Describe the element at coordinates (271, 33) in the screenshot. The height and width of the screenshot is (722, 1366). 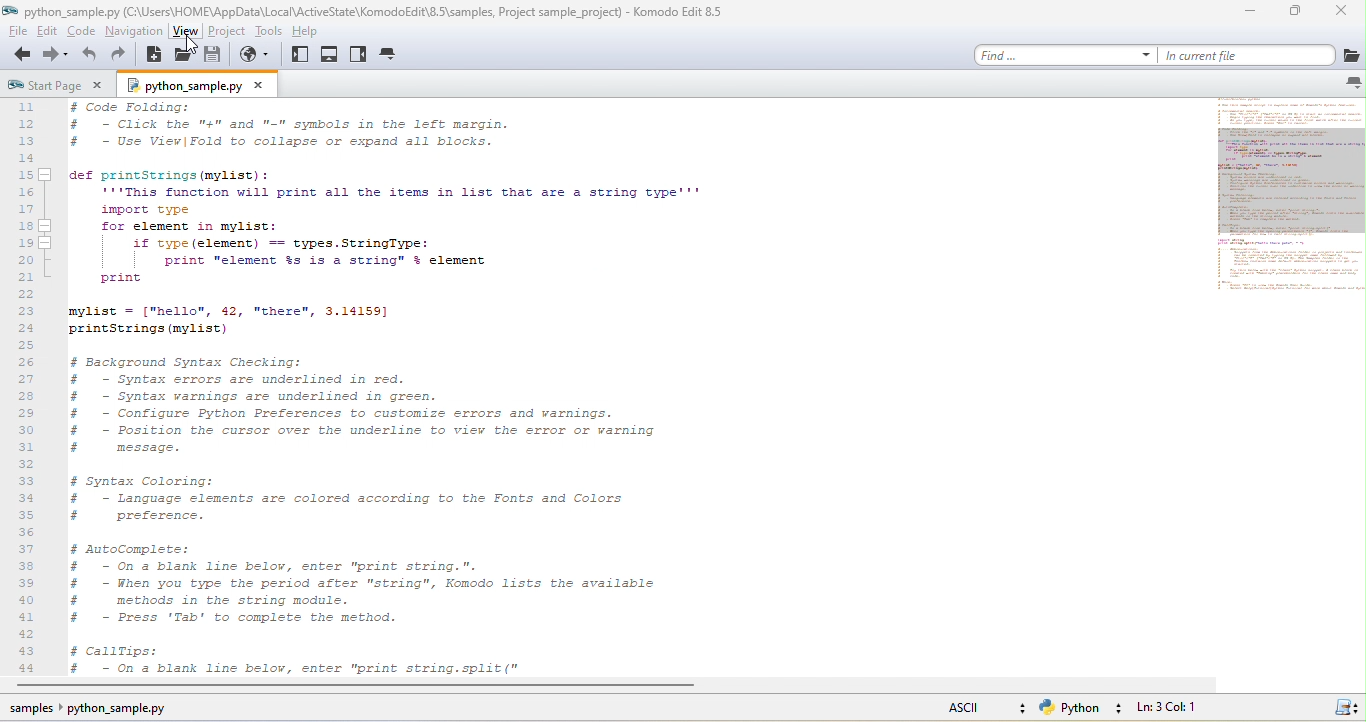
I see `tools` at that location.